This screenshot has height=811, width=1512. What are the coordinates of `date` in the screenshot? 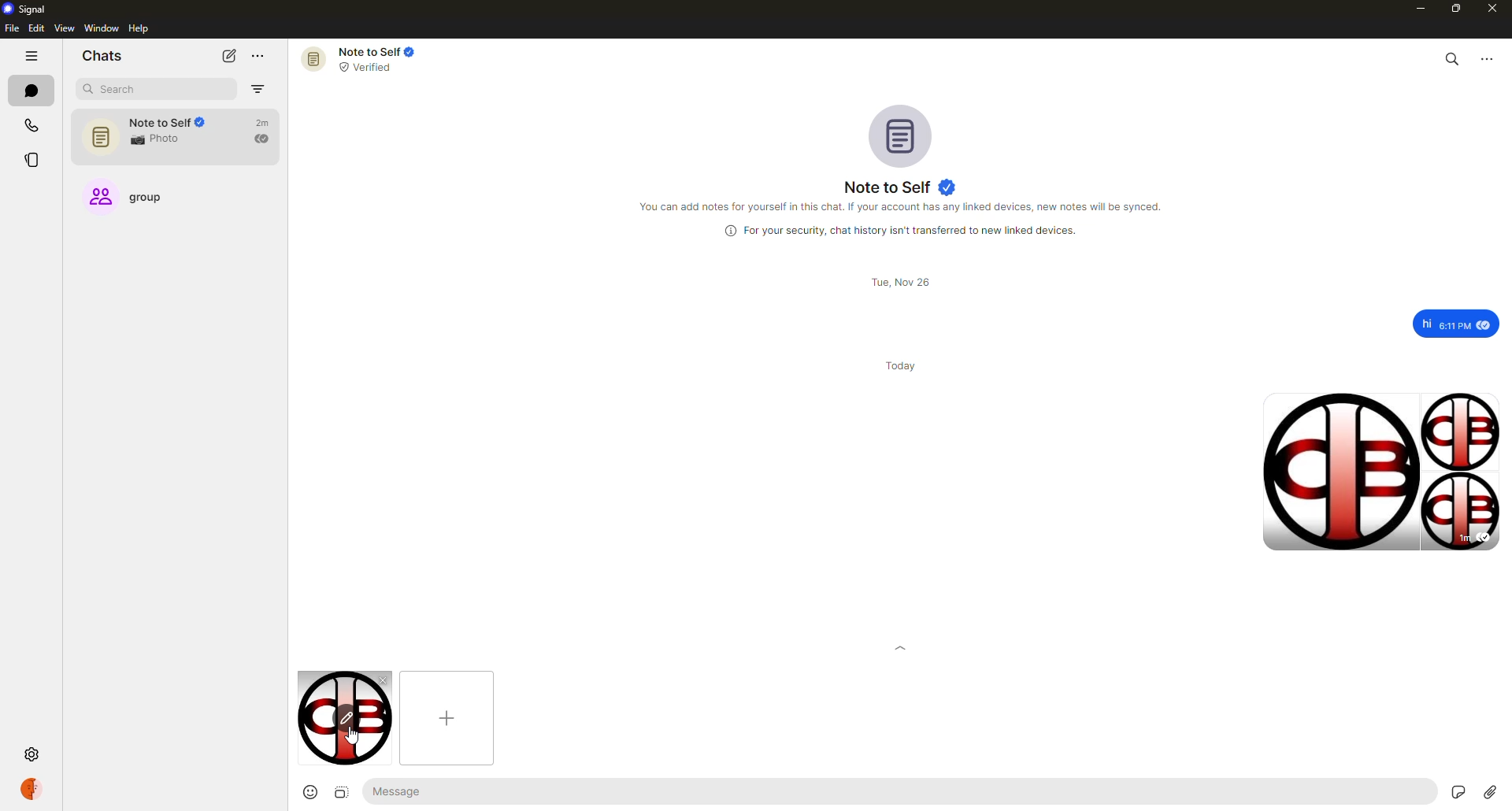 It's located at (898, 282).